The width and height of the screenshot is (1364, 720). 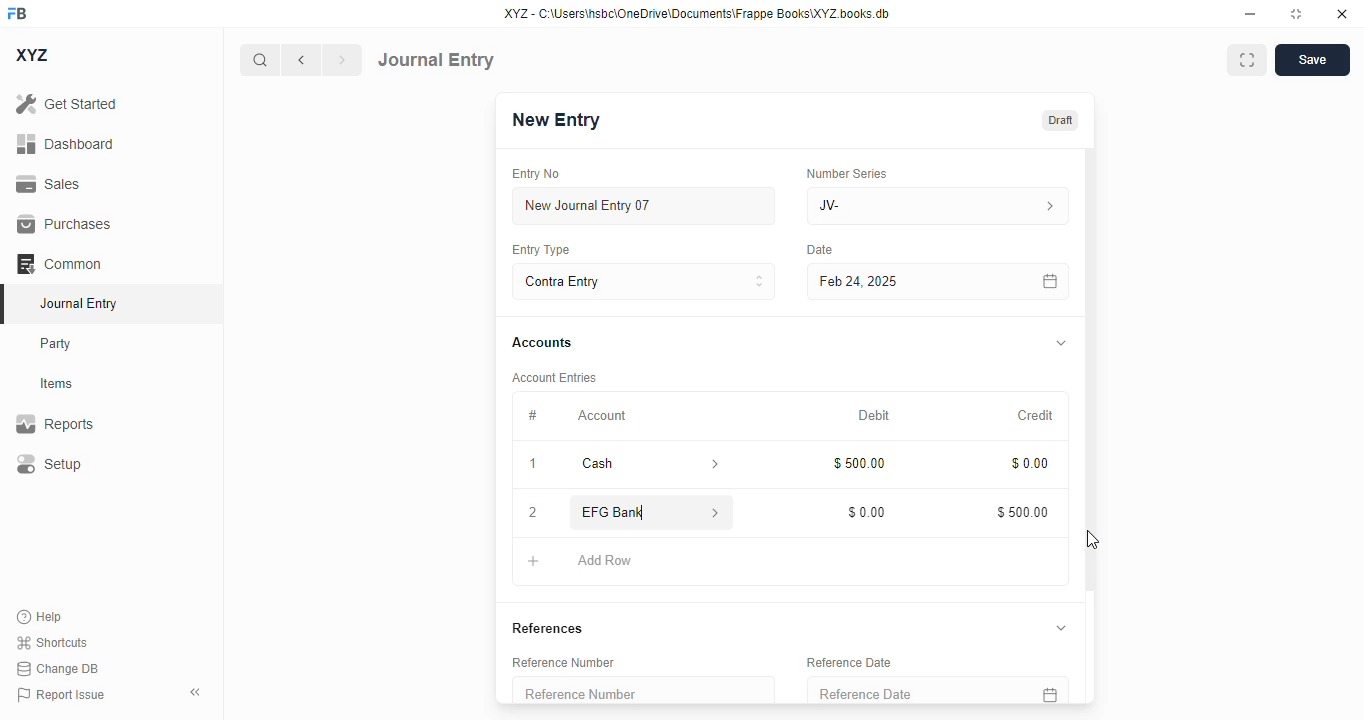 I want to click on $0.00, so click(x=868, y=512).